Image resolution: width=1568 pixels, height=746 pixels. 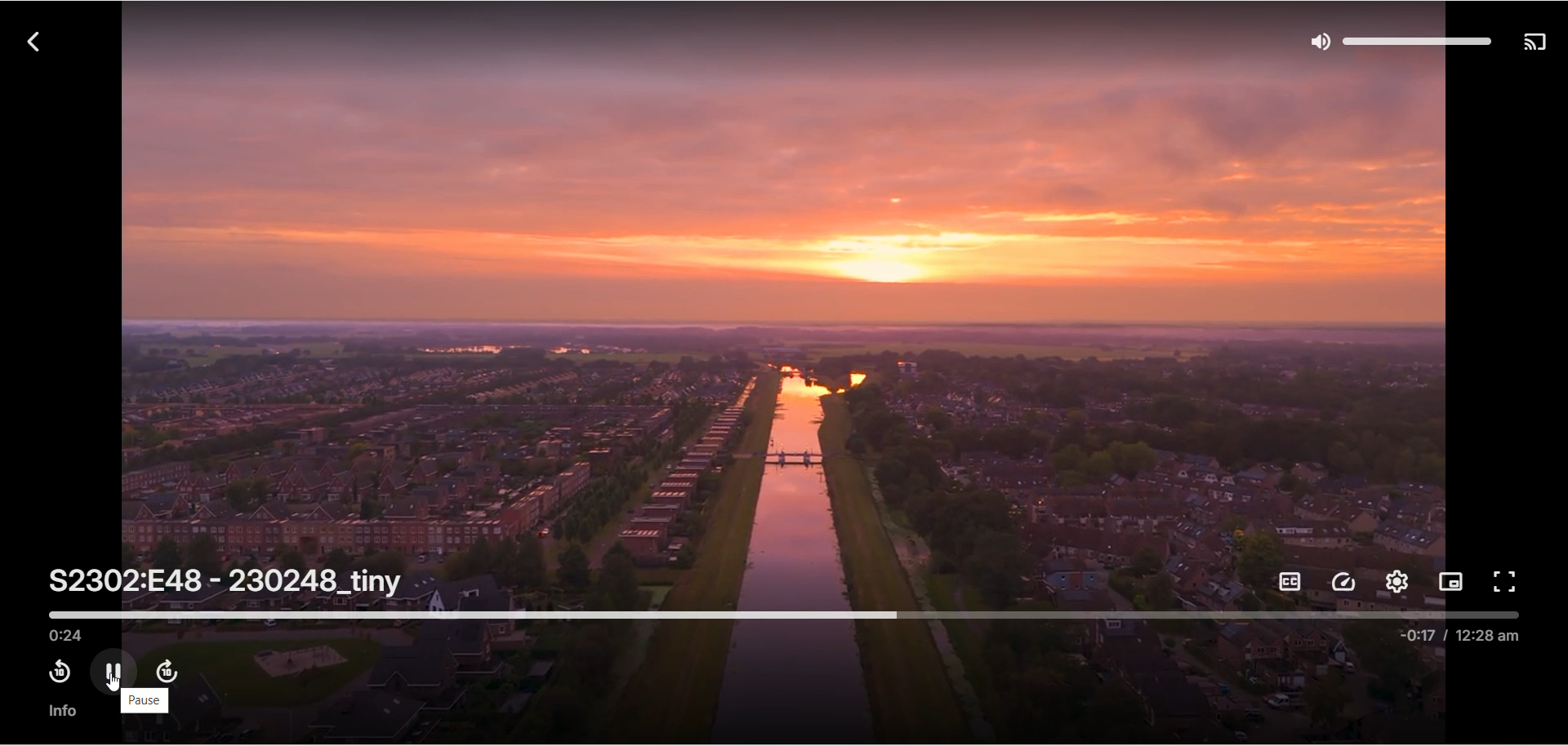 What do you see at coordinates (166, 669) in the screenshot?
I see `fast forward` at bounding box center [166, 669].